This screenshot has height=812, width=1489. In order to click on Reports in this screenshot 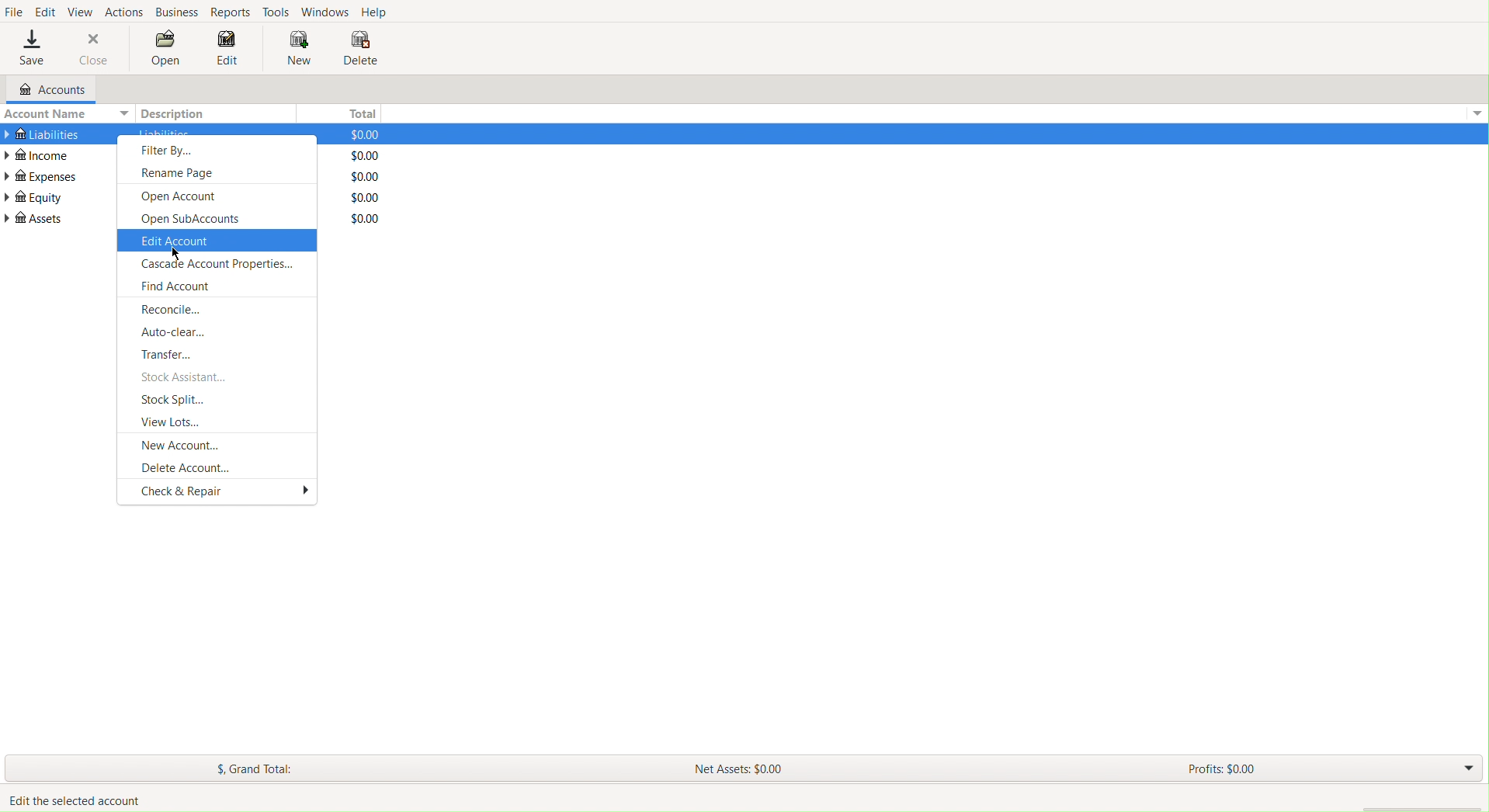, I will do `click(233, 12)`.